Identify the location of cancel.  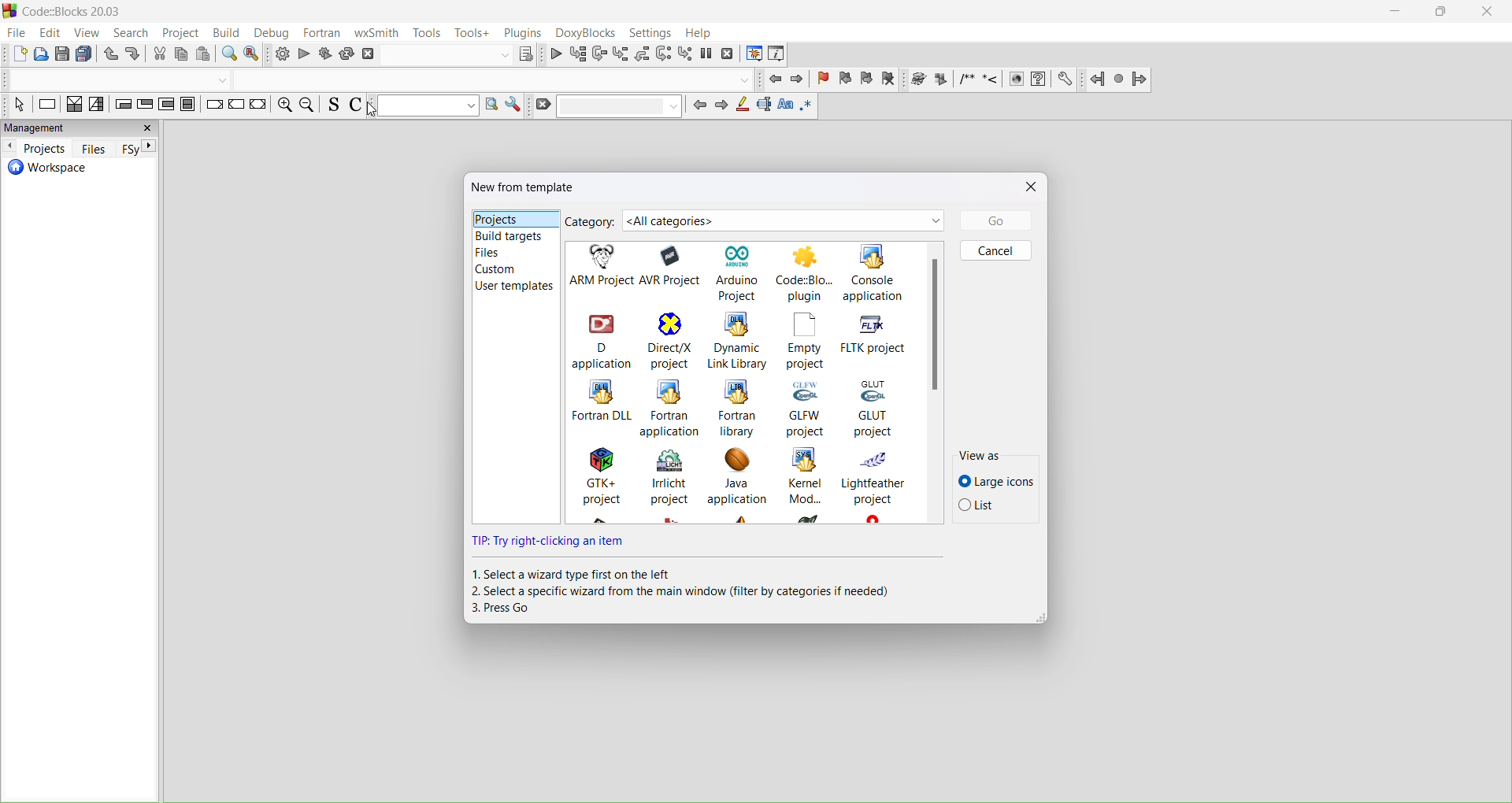
(995, 250).